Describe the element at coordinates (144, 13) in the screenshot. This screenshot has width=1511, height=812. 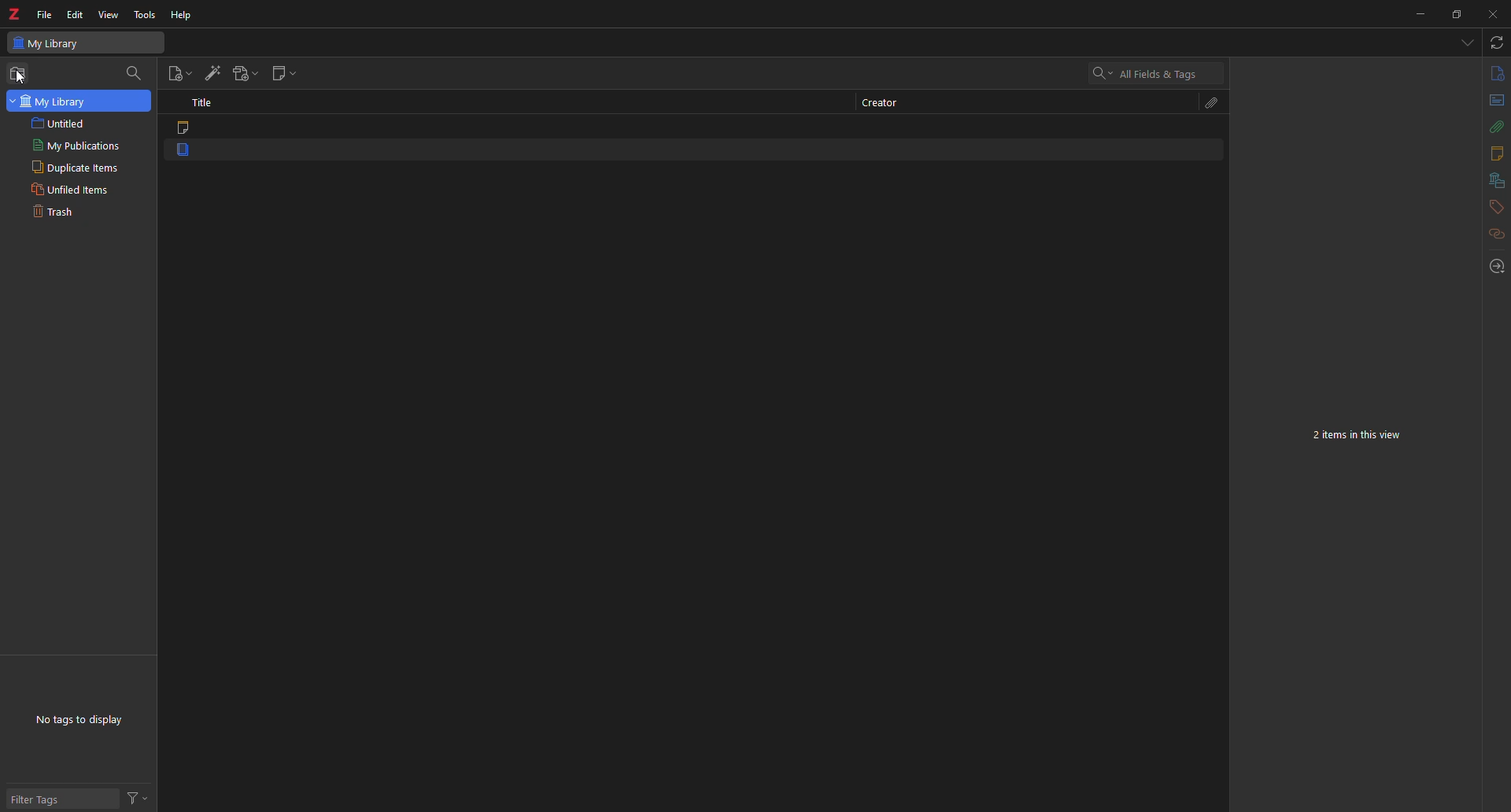
I see `tools` at that location.